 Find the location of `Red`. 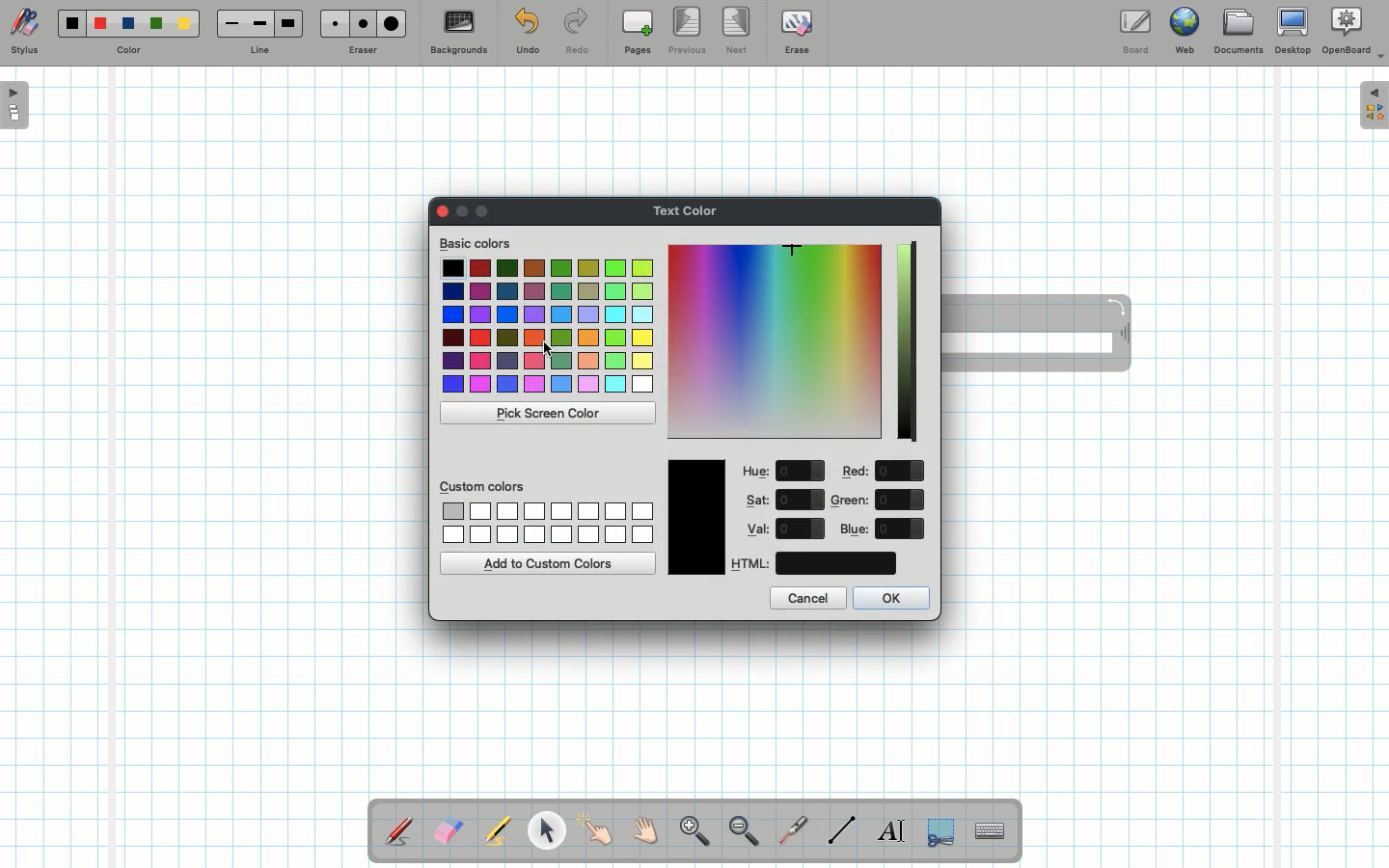

Red is located at coordinates (101, 24).